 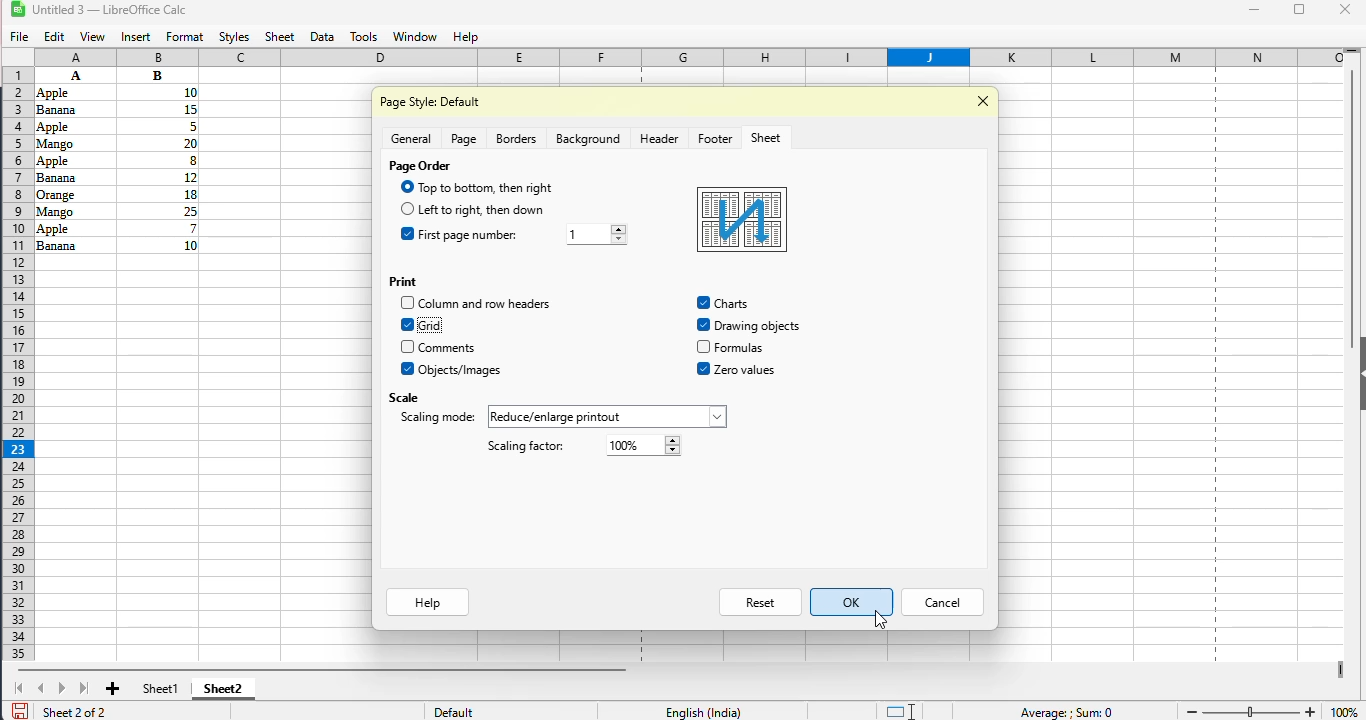 What do you see at coordinates (1251, 710) in the screenshot?
I see `change zoom level` at bounding box center [1251, 710].